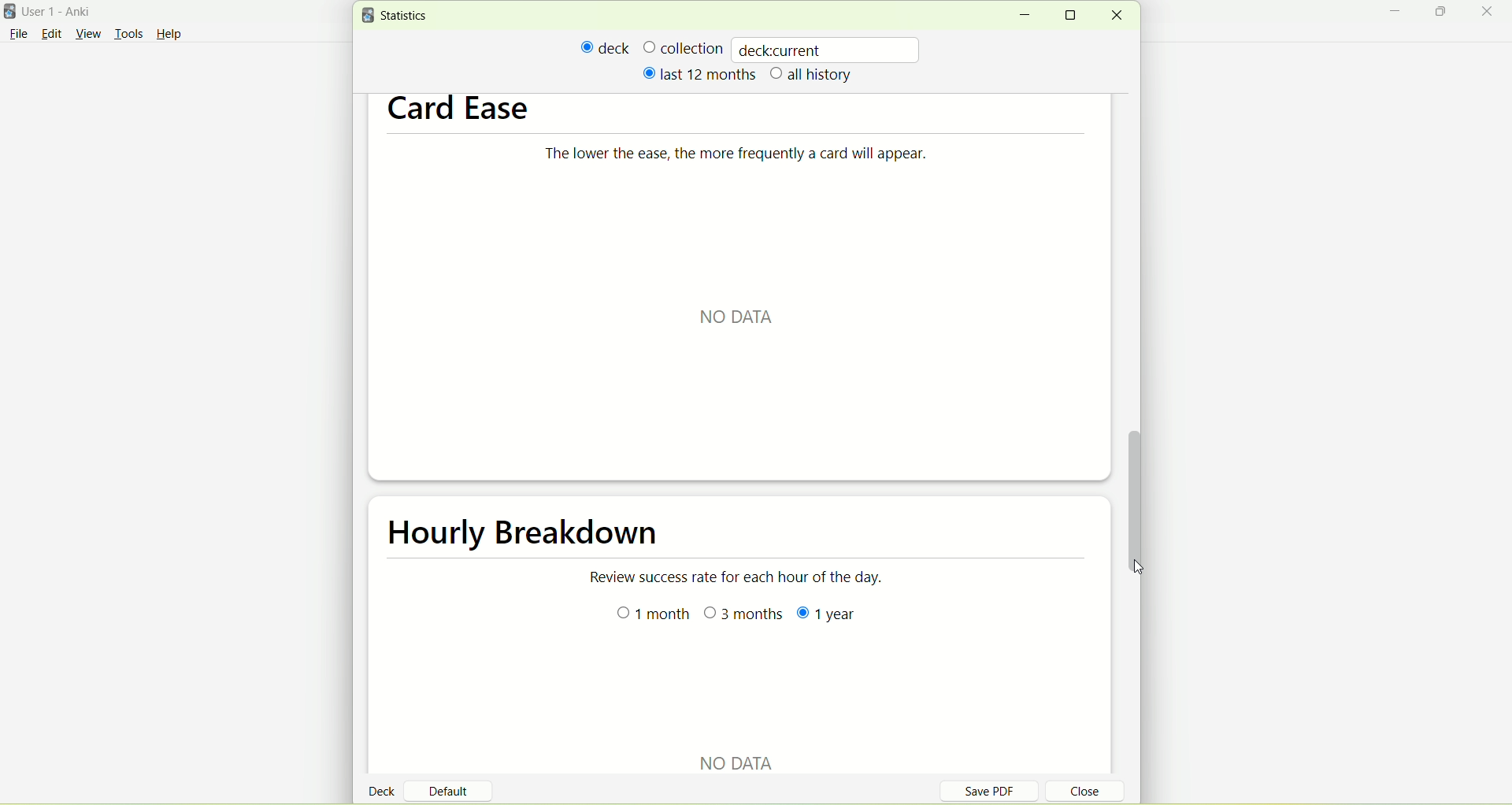  Describe the element at coordinates (1399, 13) in the screenshot. I see `minimize` at that location.